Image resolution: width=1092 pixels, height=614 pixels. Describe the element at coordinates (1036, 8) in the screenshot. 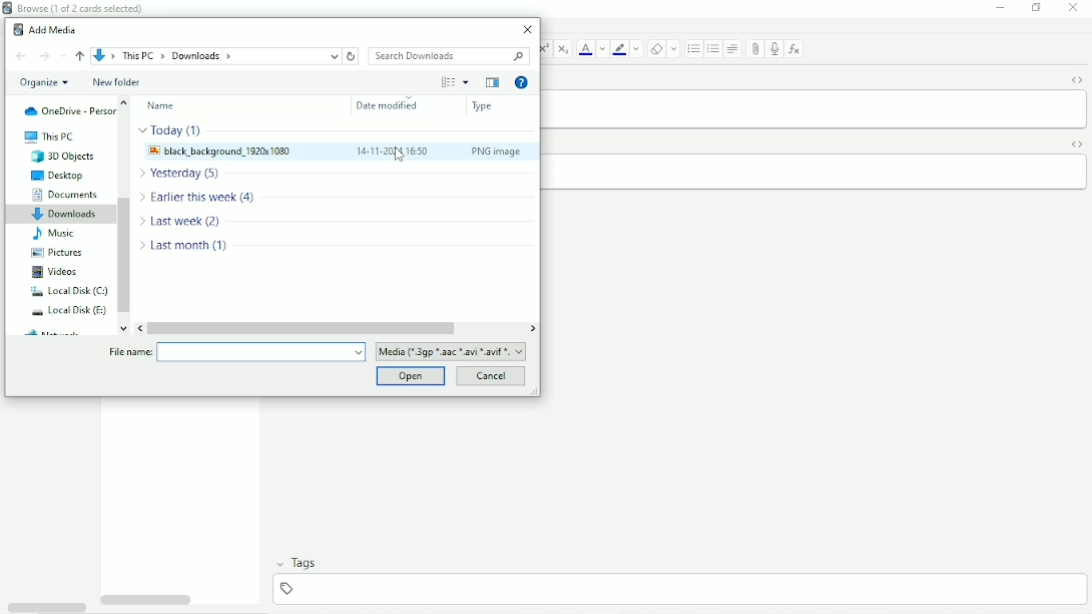

I see `Restore down` at that location.